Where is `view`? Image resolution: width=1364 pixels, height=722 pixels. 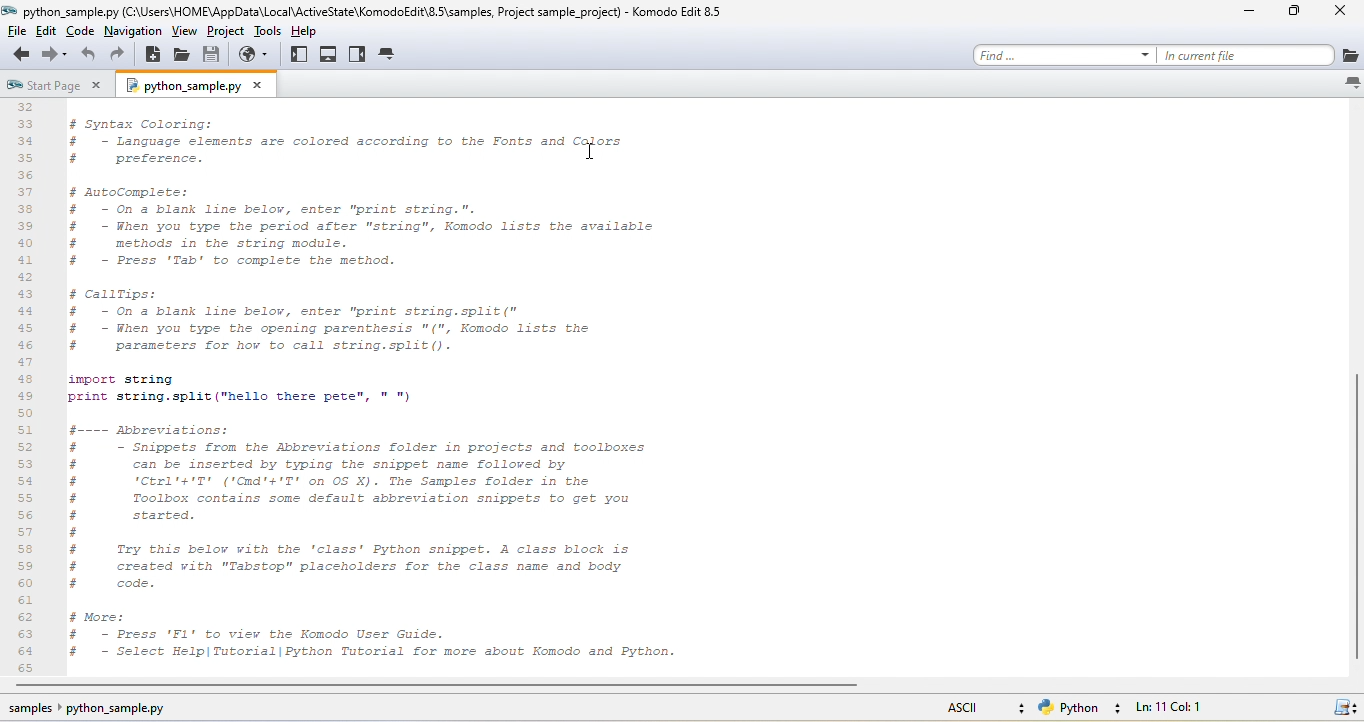
view is located at coordinates (184, 34).